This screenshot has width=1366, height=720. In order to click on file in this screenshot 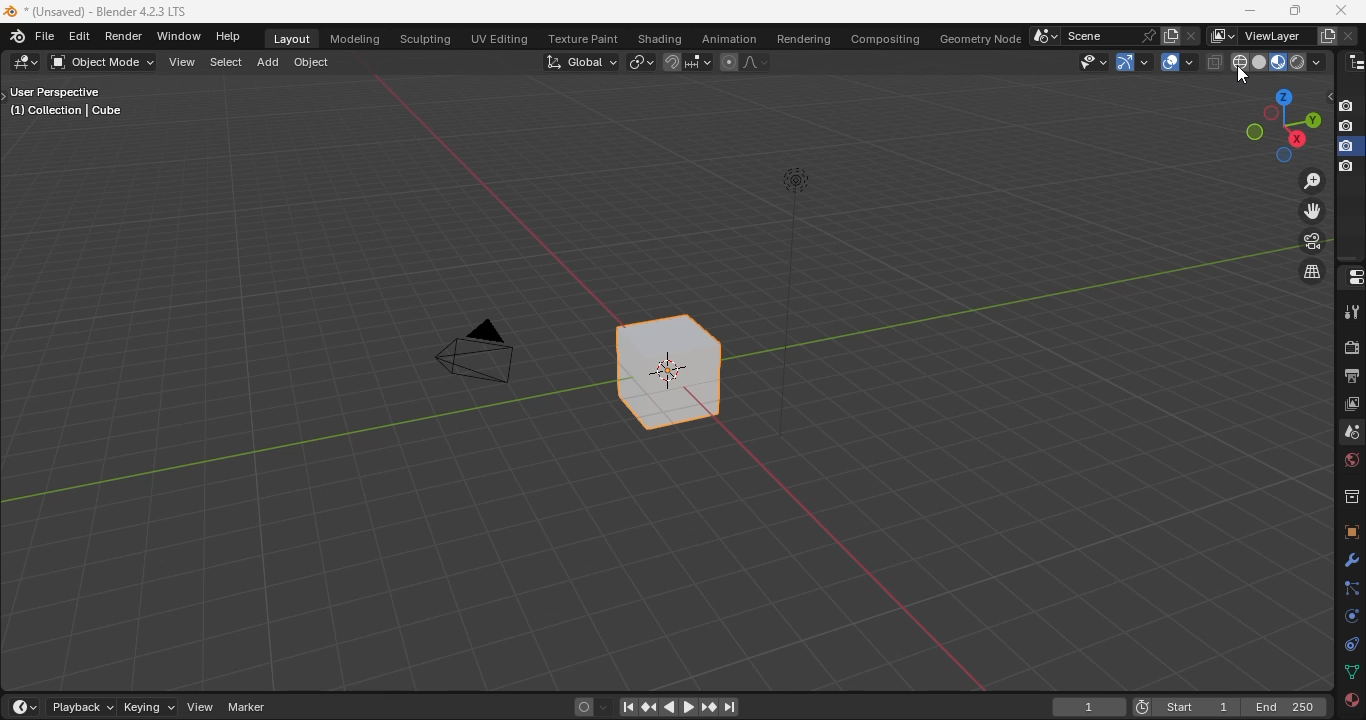, I will do `click(46, 36)`.